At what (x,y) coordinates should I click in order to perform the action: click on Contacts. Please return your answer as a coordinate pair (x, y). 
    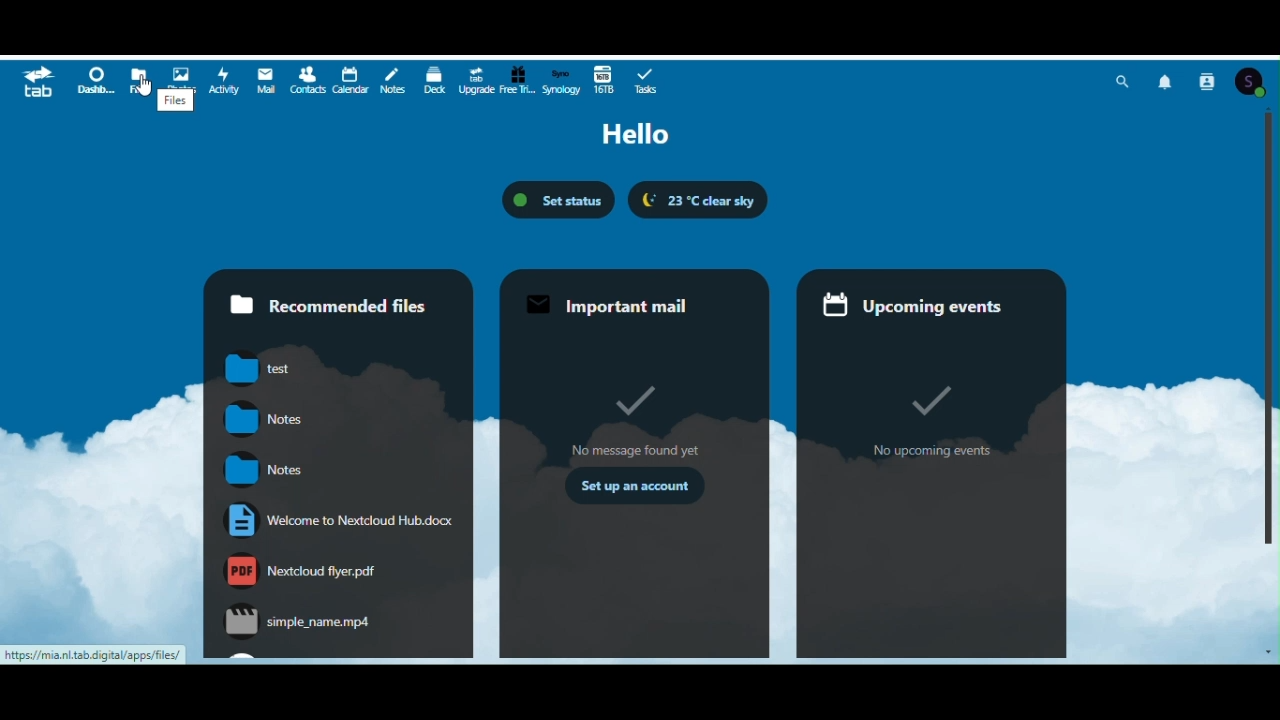
    Looking at the image, I should click on (1209, 81).